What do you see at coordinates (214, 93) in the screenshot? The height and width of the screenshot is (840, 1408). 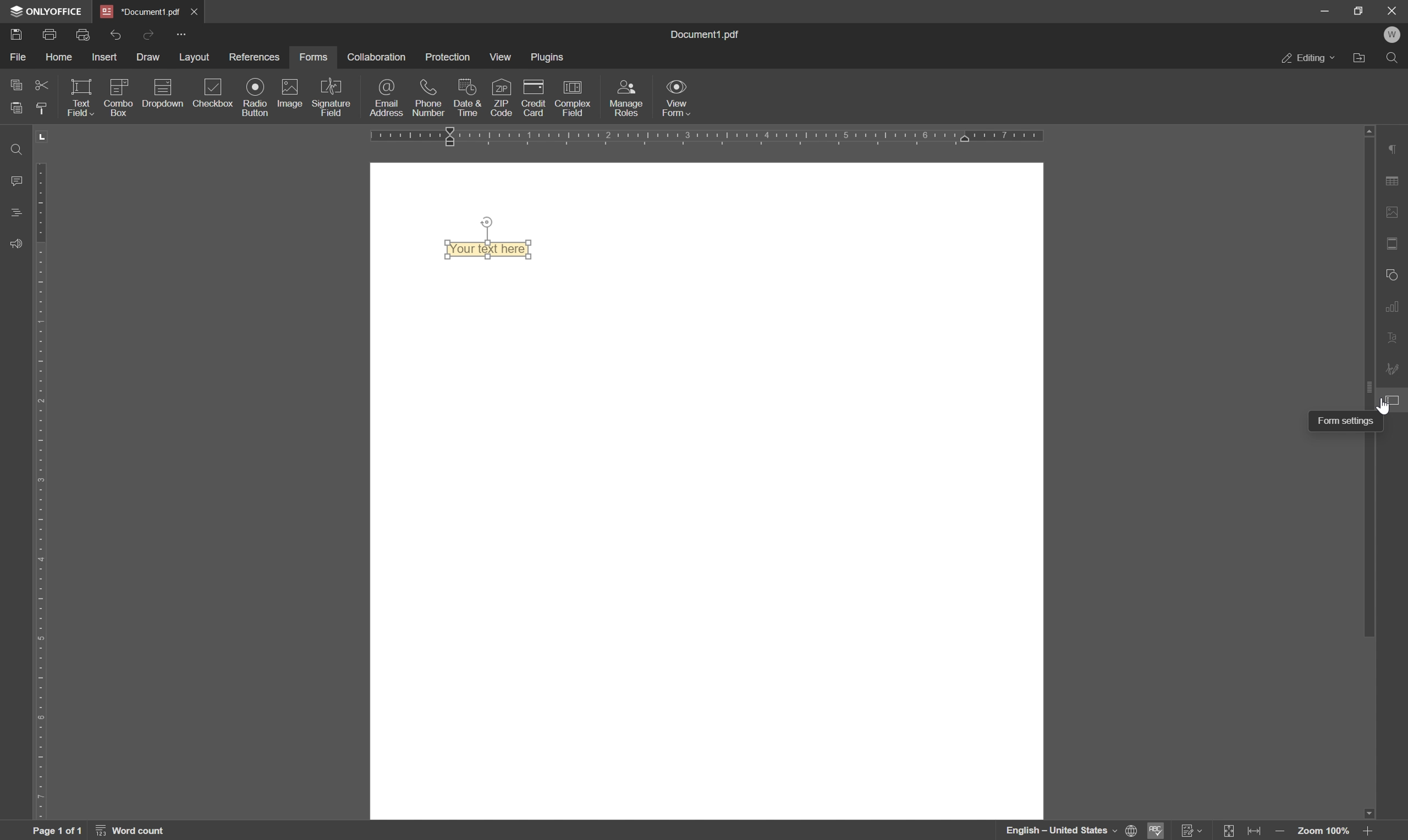 I see `checkbox` at bounding box center [214, 93].